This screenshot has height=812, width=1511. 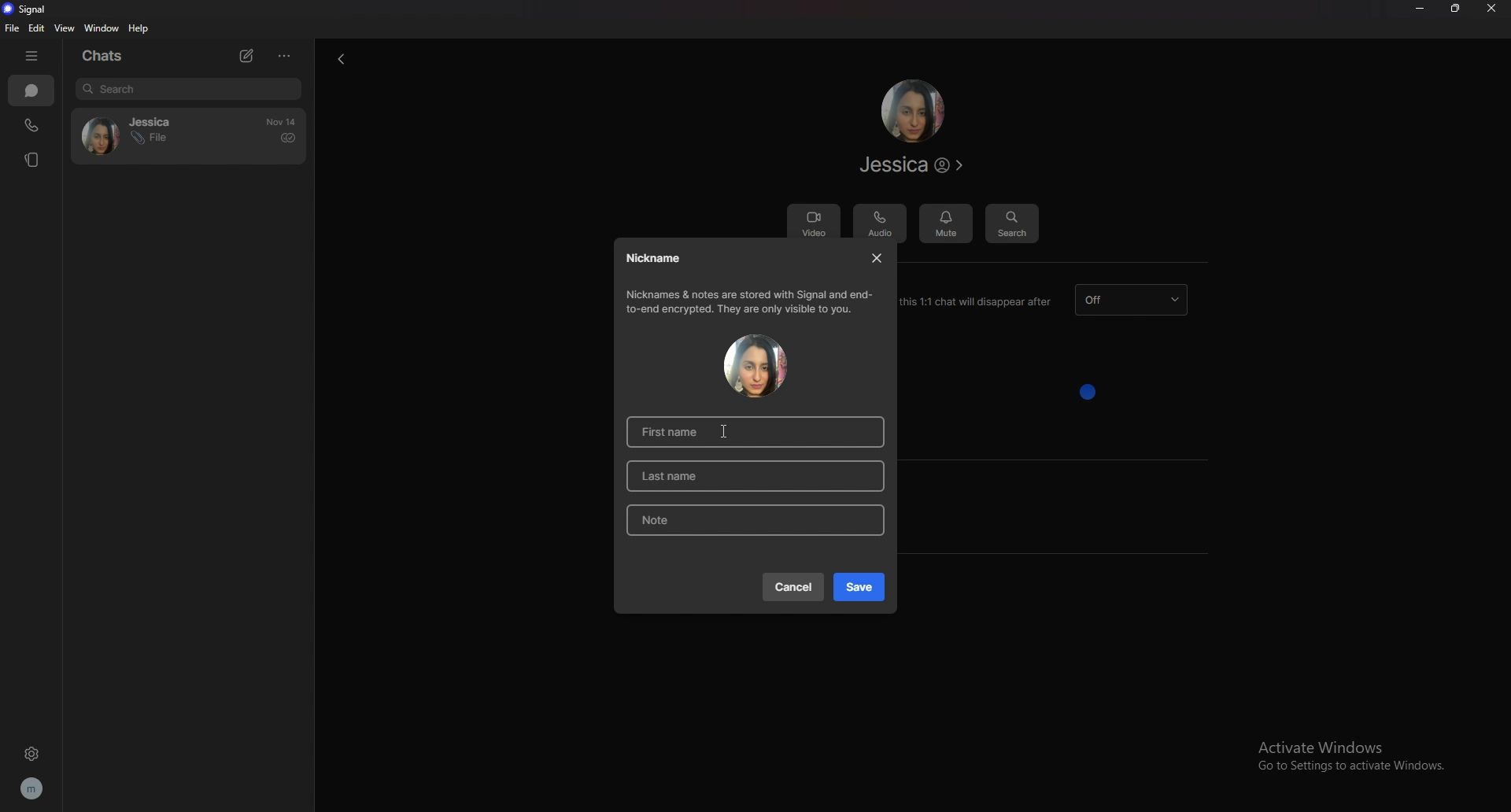 What do you see at coordinates (287, 55) in the screenshot?
I see `options` at bounding box center [287, 55].